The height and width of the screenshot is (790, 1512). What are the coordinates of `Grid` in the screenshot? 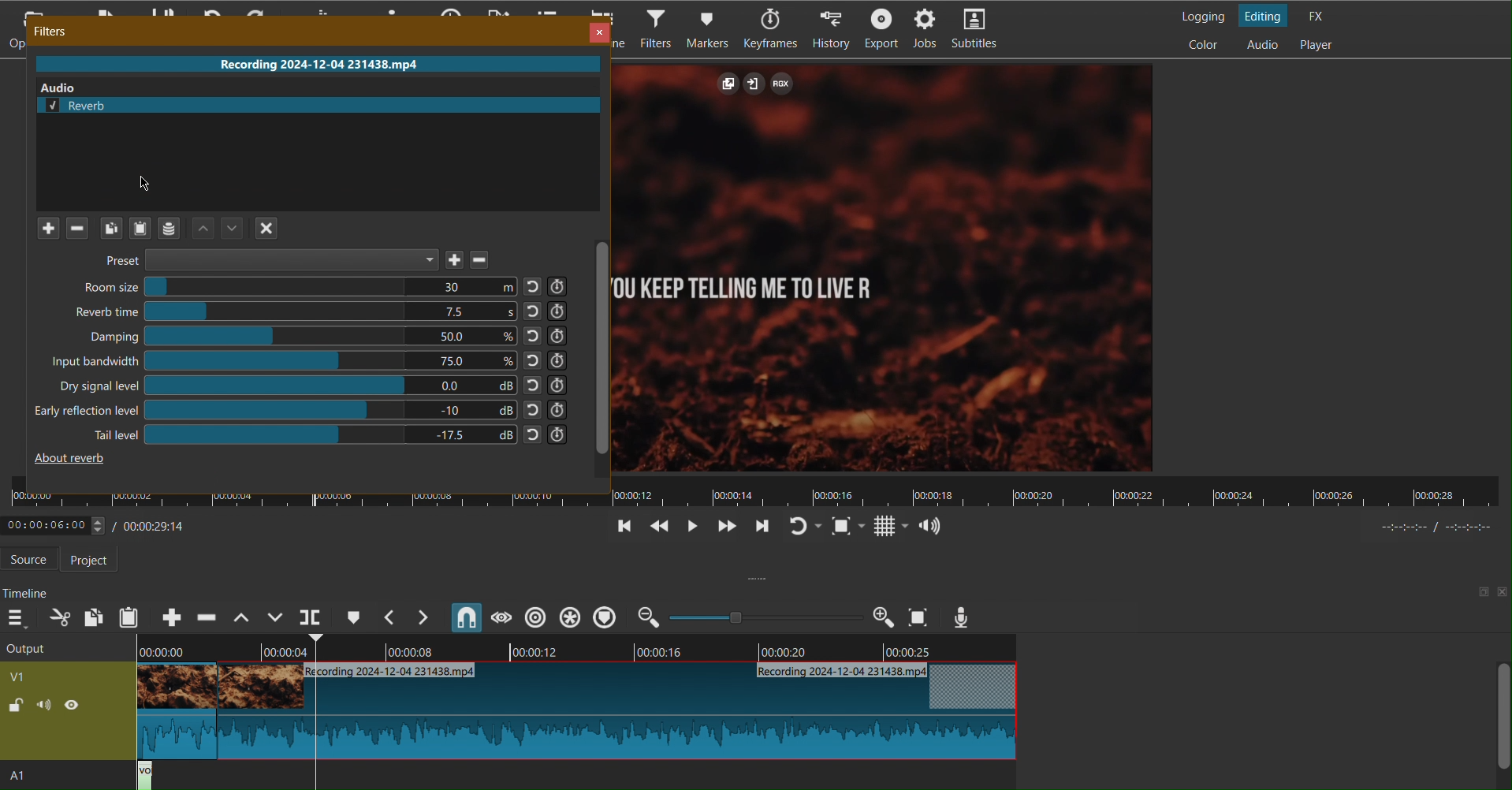 It's located at (891, 527).